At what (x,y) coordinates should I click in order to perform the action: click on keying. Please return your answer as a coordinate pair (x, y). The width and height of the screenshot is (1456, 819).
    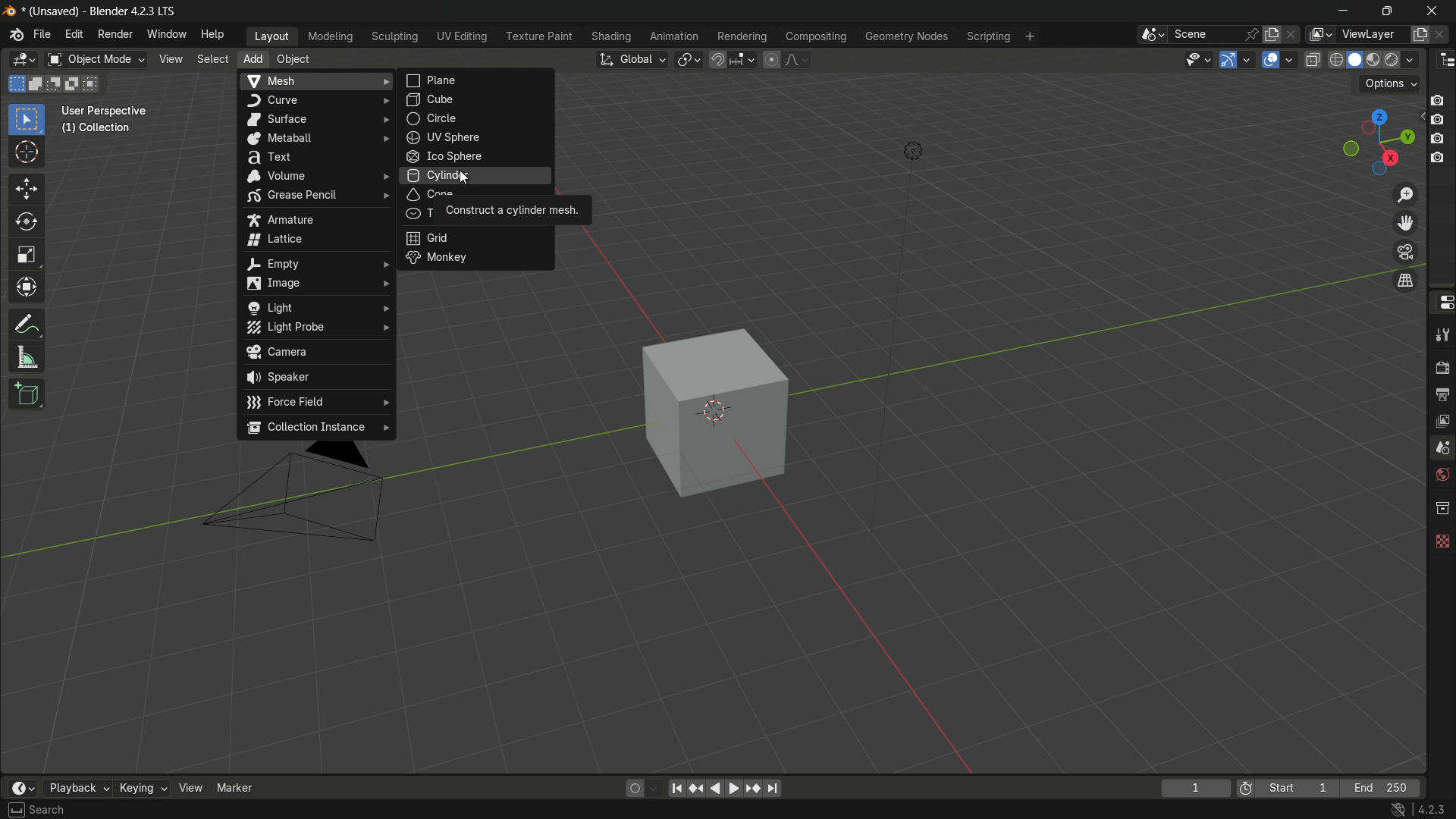
    Looking at the image, I should click on (142, 788).